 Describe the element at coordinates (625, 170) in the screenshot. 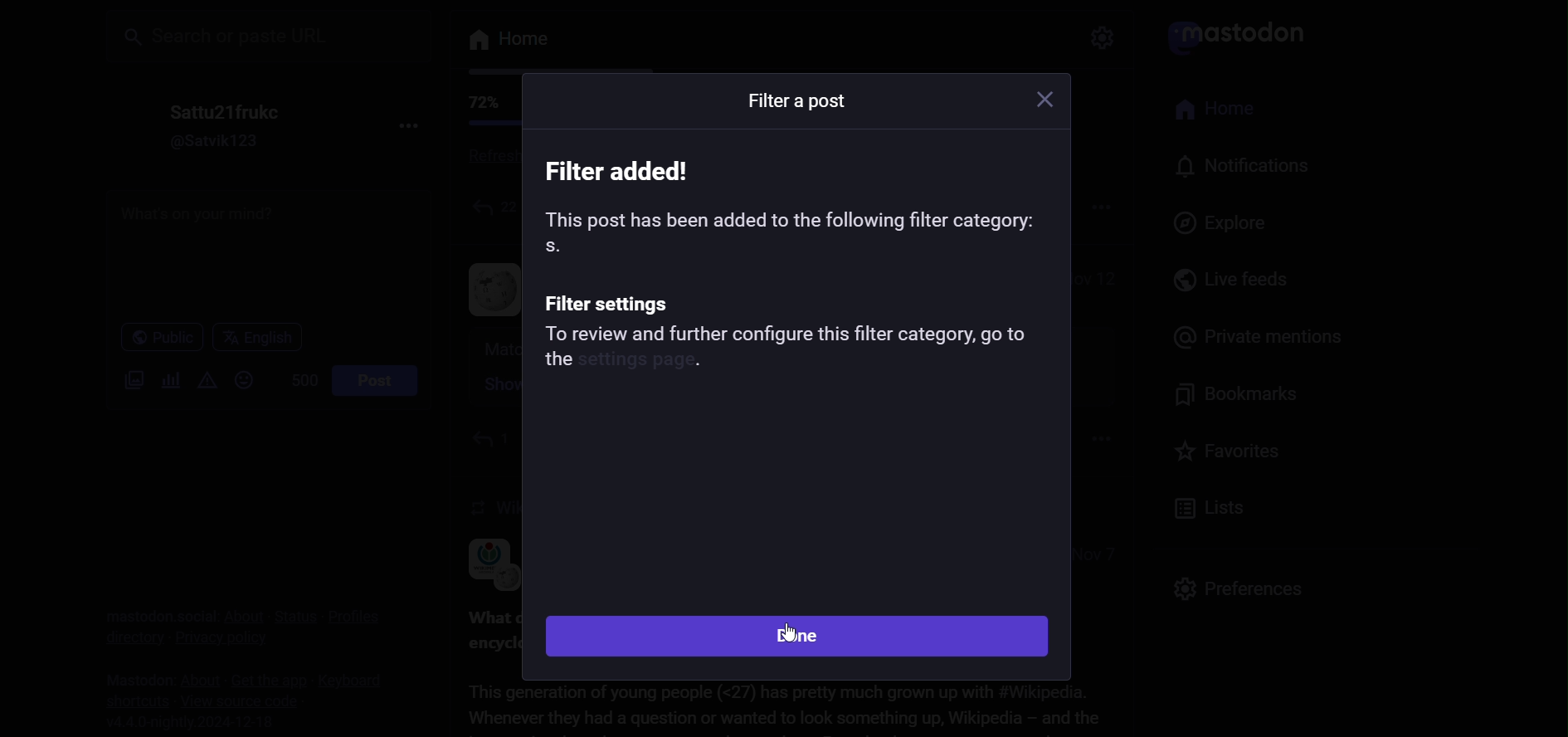

I see `Filter added!` at that location.